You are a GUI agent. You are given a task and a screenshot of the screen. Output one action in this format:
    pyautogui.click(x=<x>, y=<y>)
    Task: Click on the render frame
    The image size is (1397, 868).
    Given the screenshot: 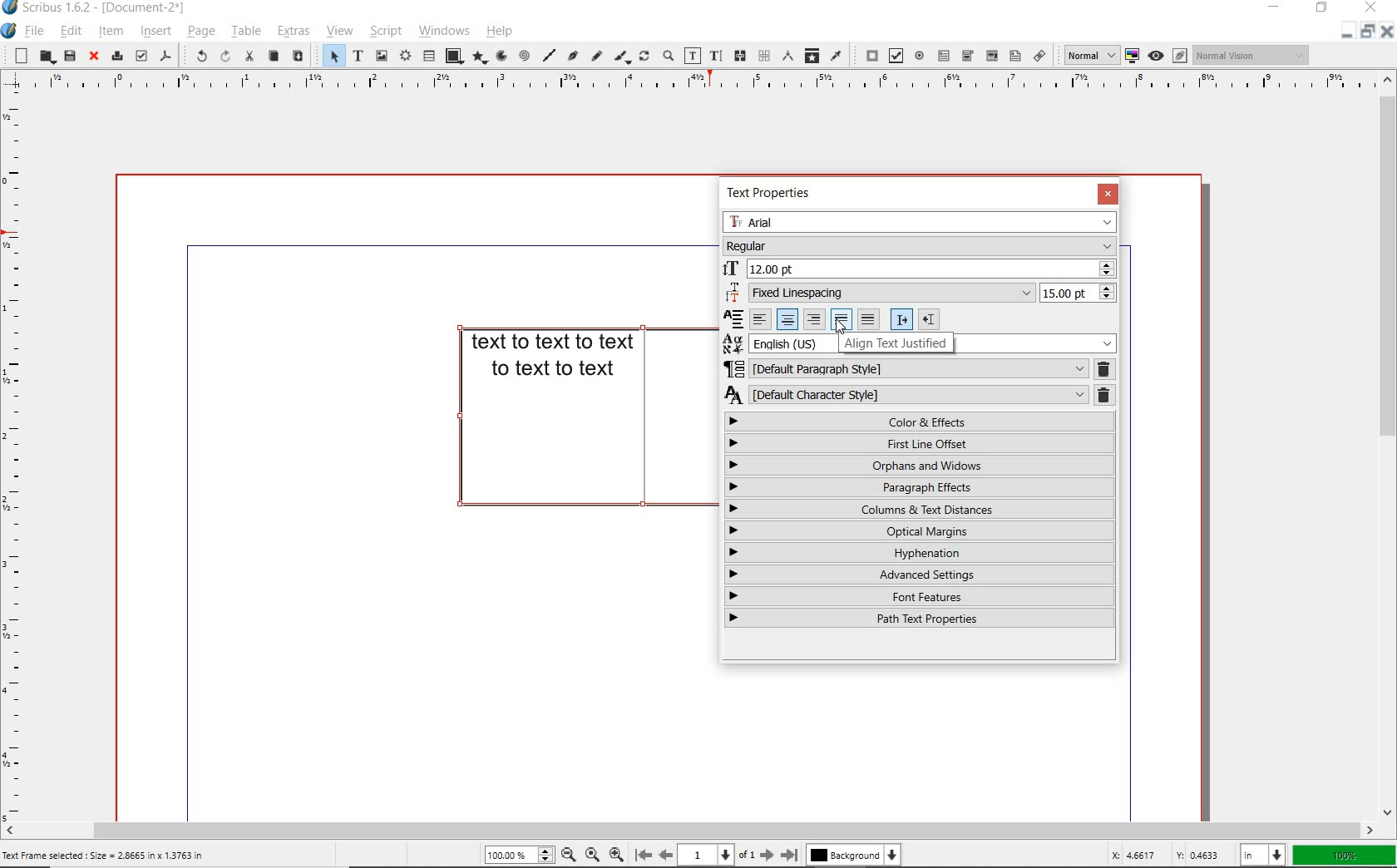 What is the action you would take?
    pyautogui.click(x=404, y=55)
    